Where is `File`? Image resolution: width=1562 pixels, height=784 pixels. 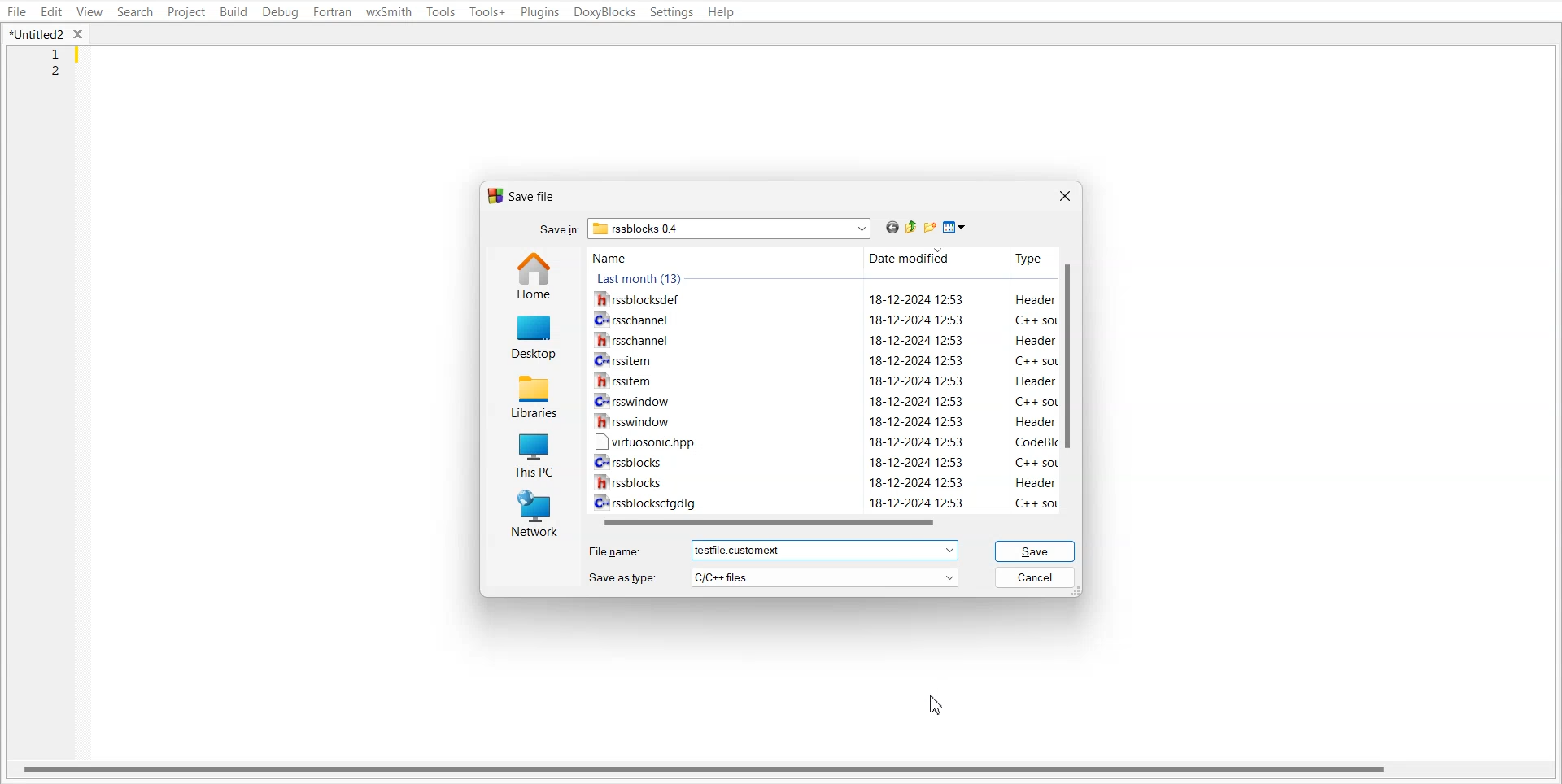 File is located at coordinates (17, 11).